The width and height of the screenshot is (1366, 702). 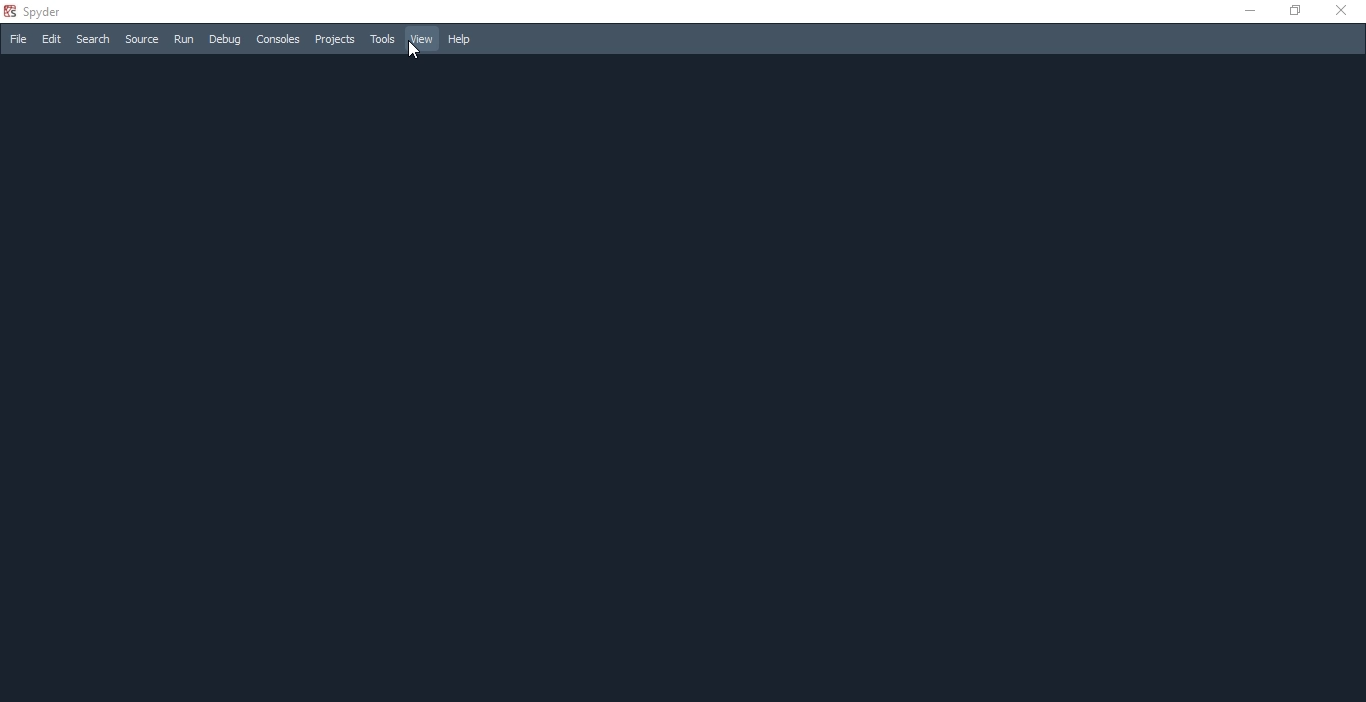 I want to click on Debug, so click(x=225, y=40).